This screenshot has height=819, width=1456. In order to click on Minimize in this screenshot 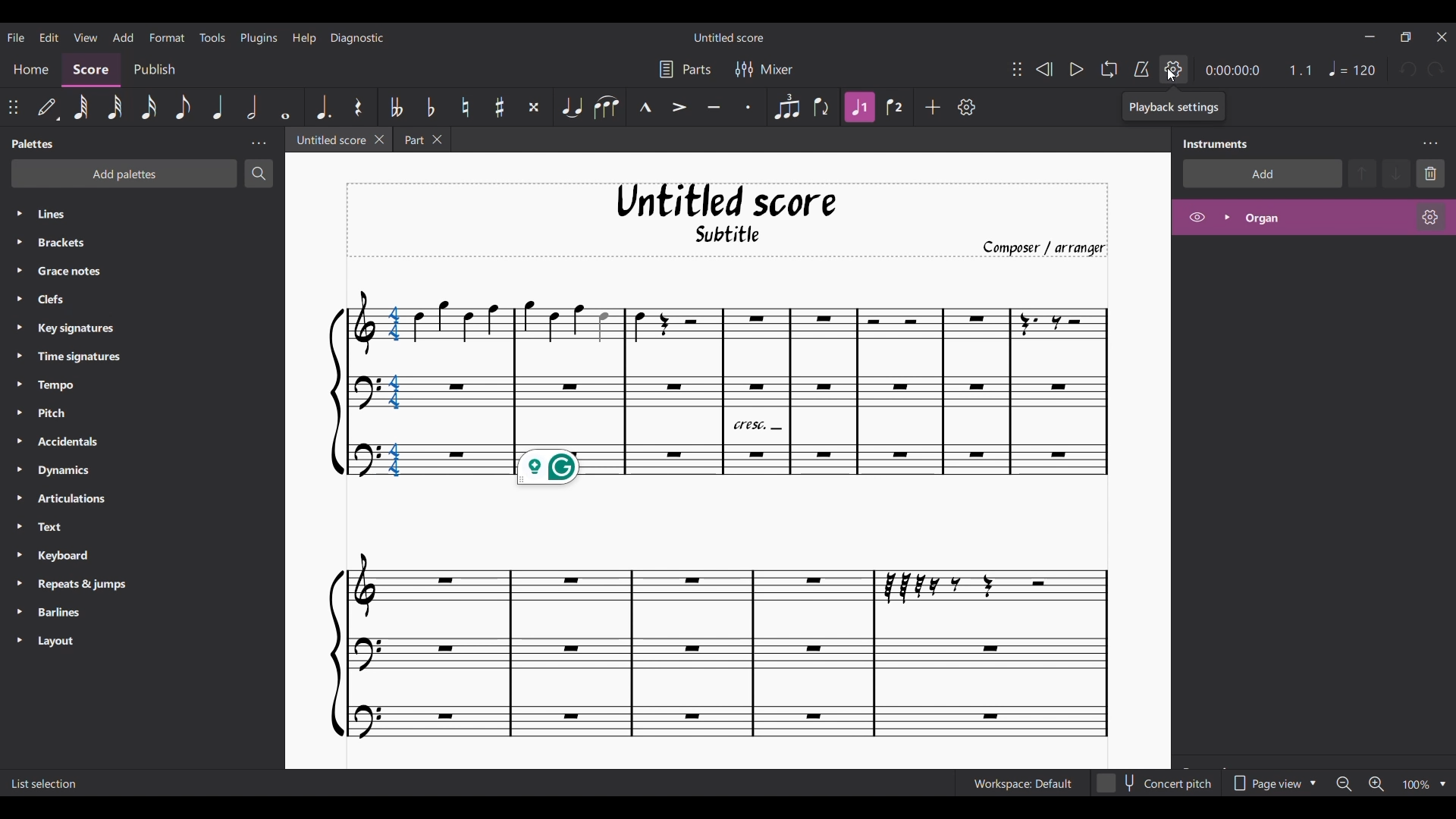, I will do `click(1370, 36)`.